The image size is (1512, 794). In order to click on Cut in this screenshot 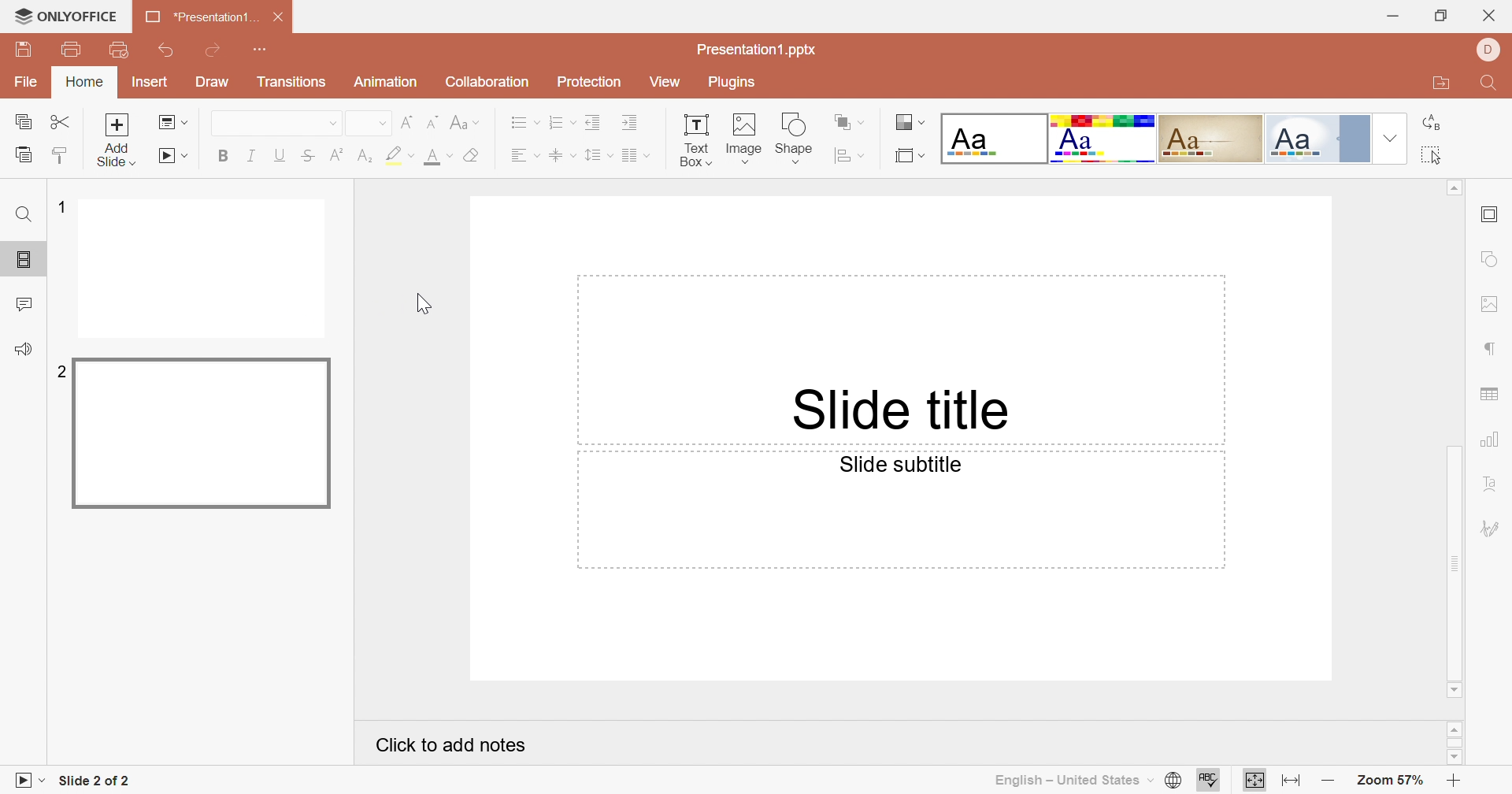, I will do `click(64, 119)`.